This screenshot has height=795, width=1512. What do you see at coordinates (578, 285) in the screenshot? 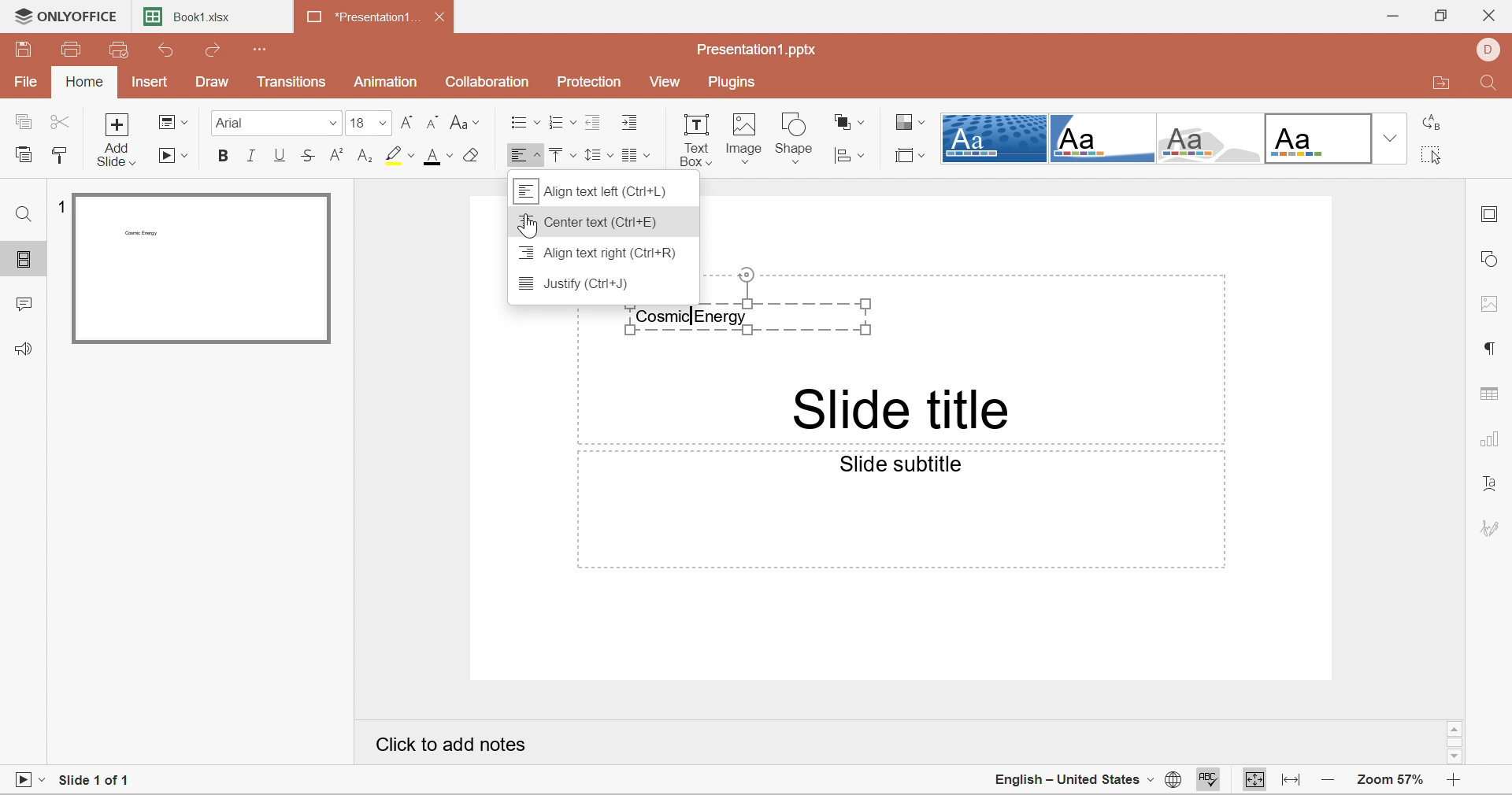
I see `Justify (Ctrl+J)` at bounding box center [578, 285].